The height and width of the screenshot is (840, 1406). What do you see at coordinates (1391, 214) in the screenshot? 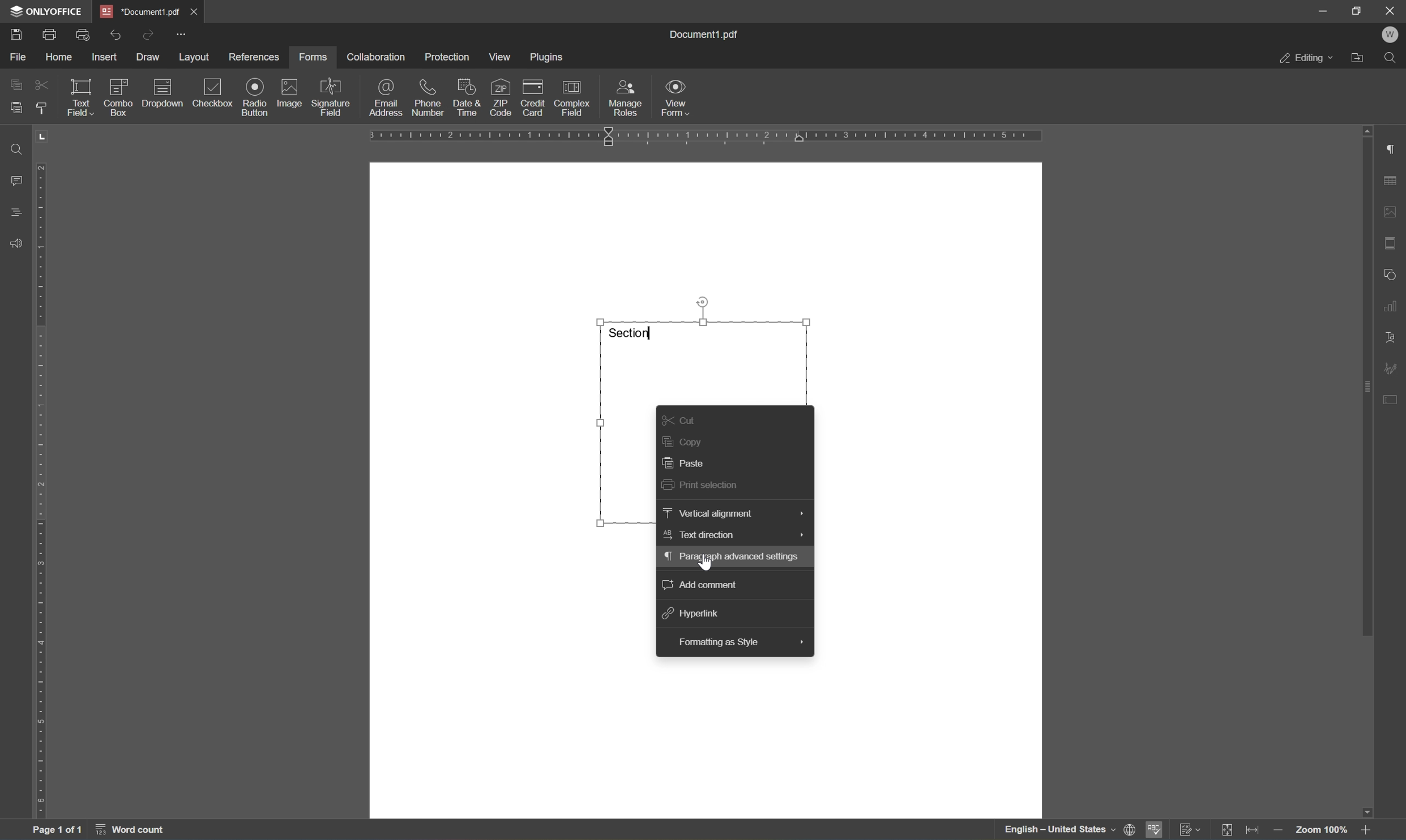
I see `image settings` at bounding box center [1391, 214].